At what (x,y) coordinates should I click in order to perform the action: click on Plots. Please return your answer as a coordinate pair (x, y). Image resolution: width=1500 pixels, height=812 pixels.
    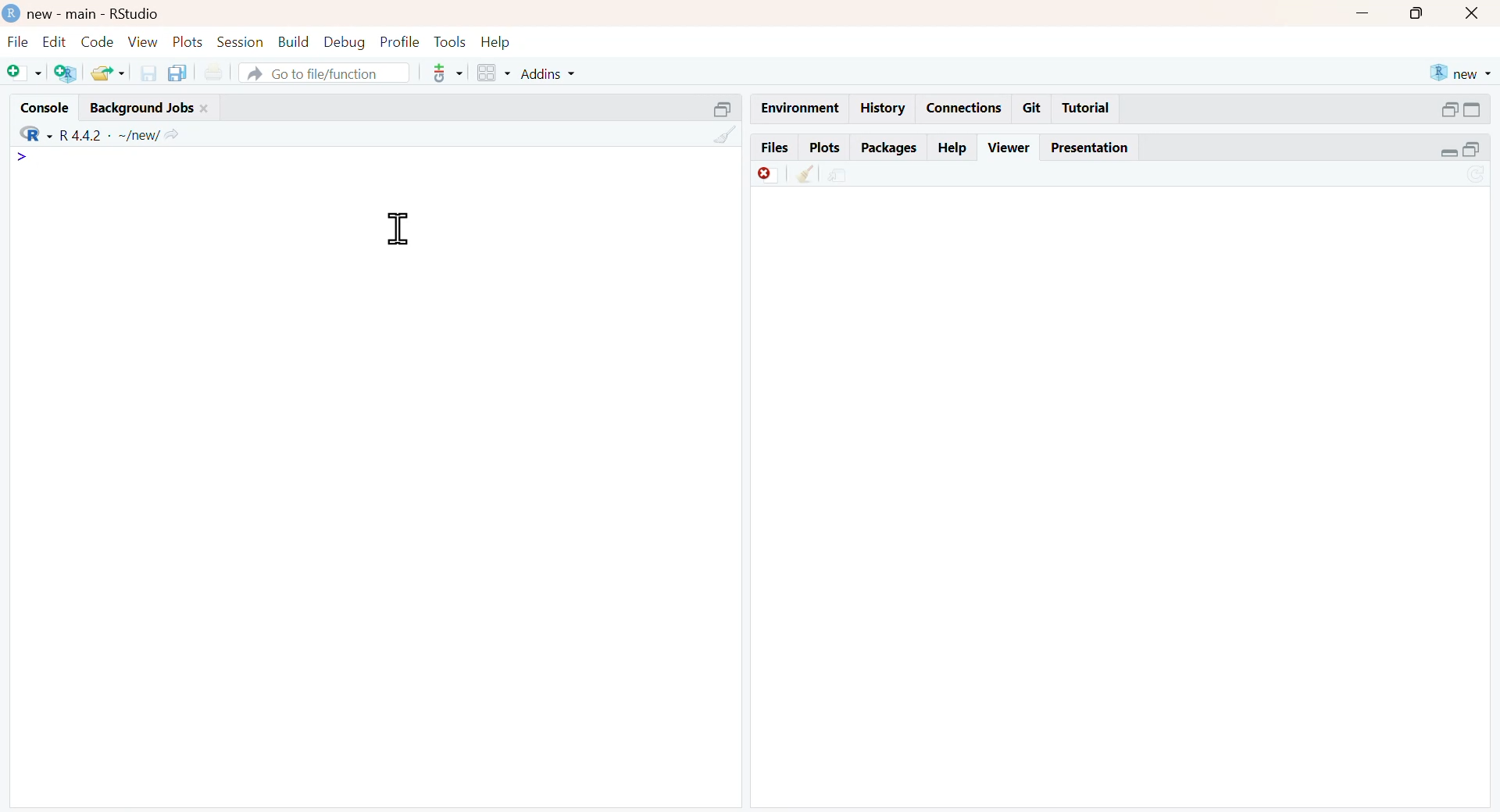
    Looking at the image, I should click on (822, 146).